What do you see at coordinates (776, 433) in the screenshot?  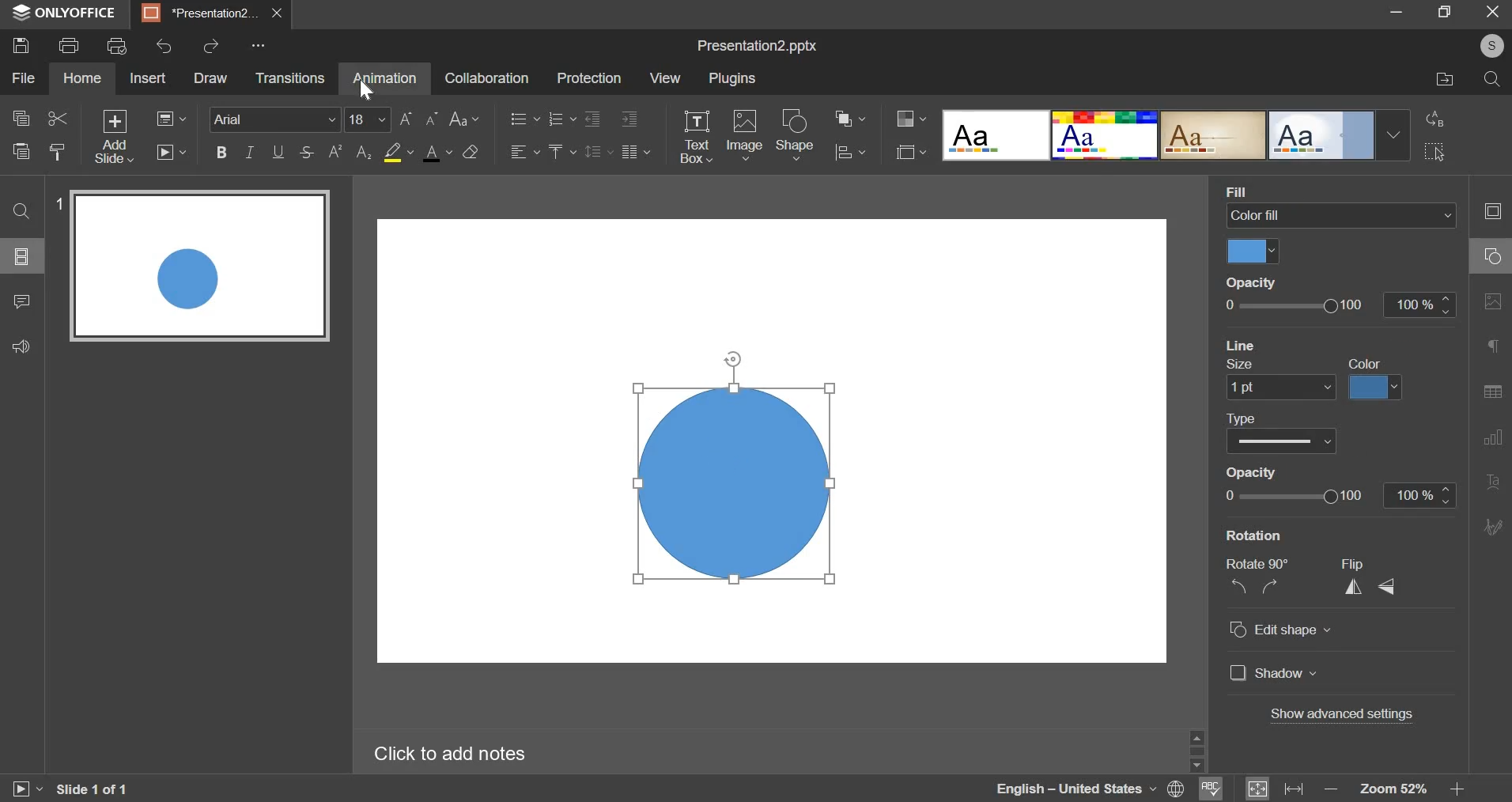 I see `slide area` at bounding box center [776, 433].